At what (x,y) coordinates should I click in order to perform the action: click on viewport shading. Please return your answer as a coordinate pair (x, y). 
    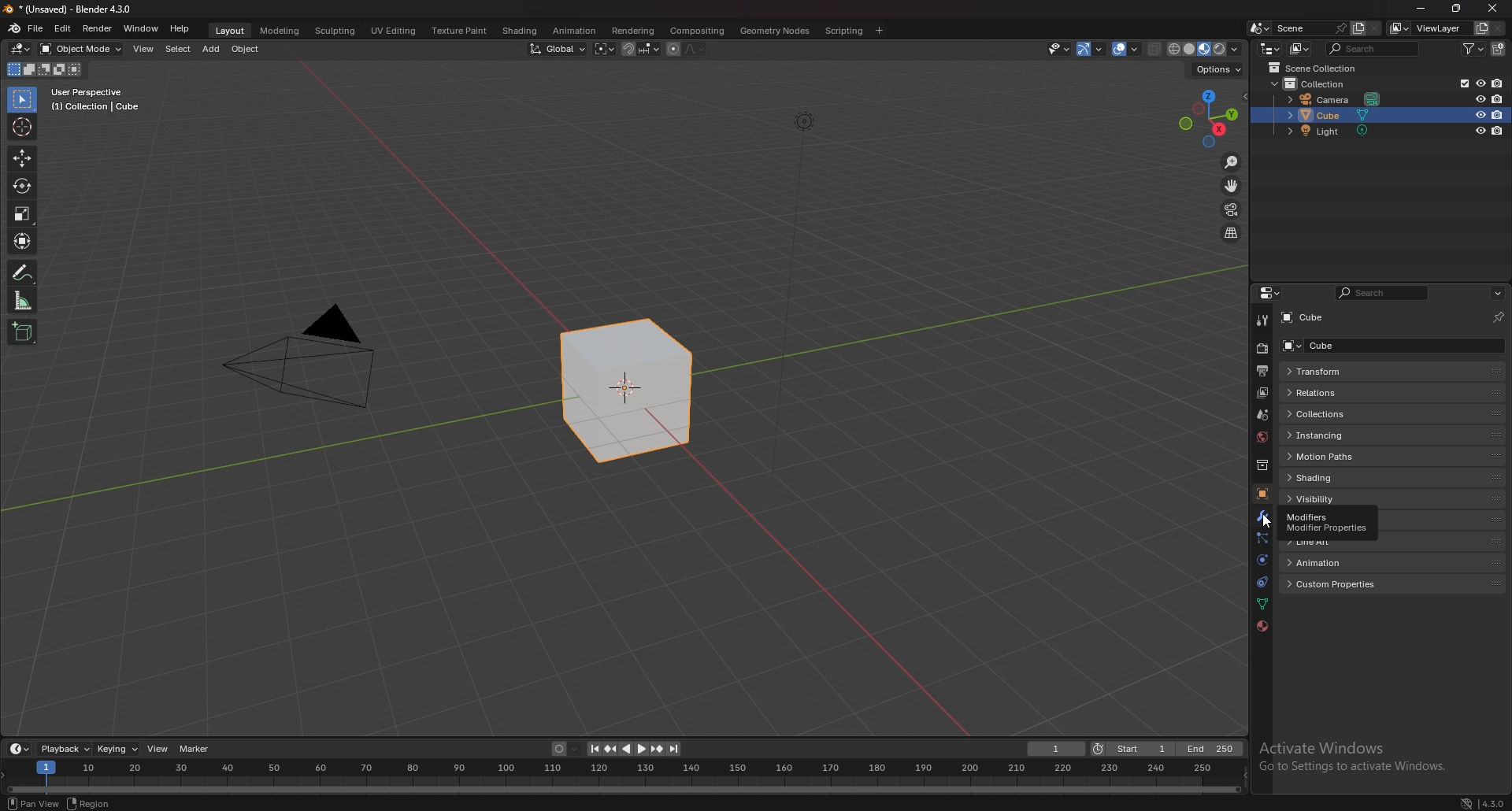
    Looking at the image, I should click on (1205, 48).